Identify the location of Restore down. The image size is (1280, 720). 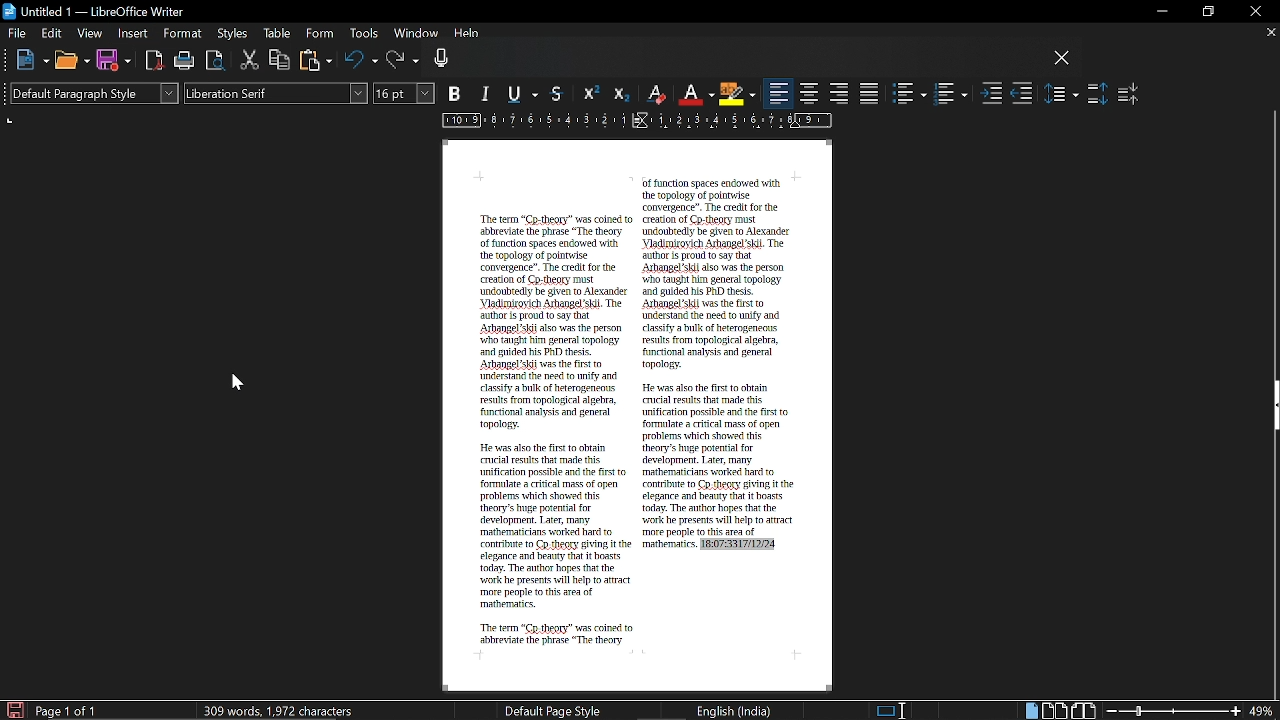
(1206, 12).